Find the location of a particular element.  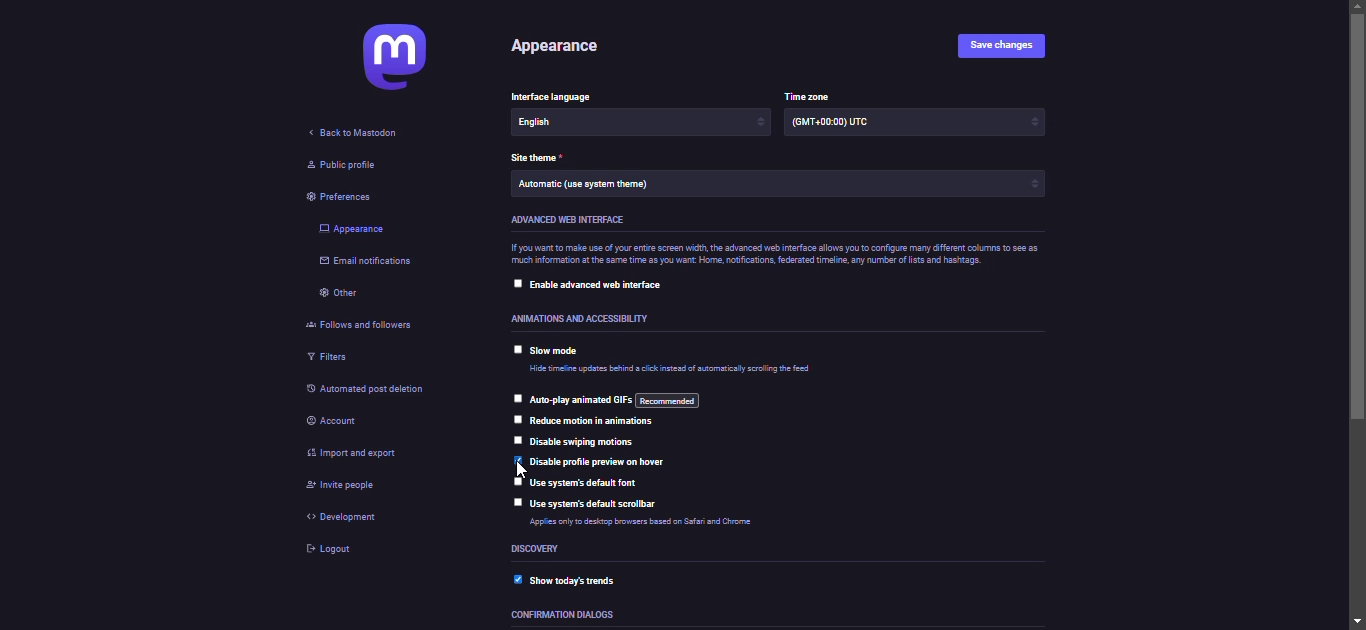

preferences is located at coordinates (345, 195).